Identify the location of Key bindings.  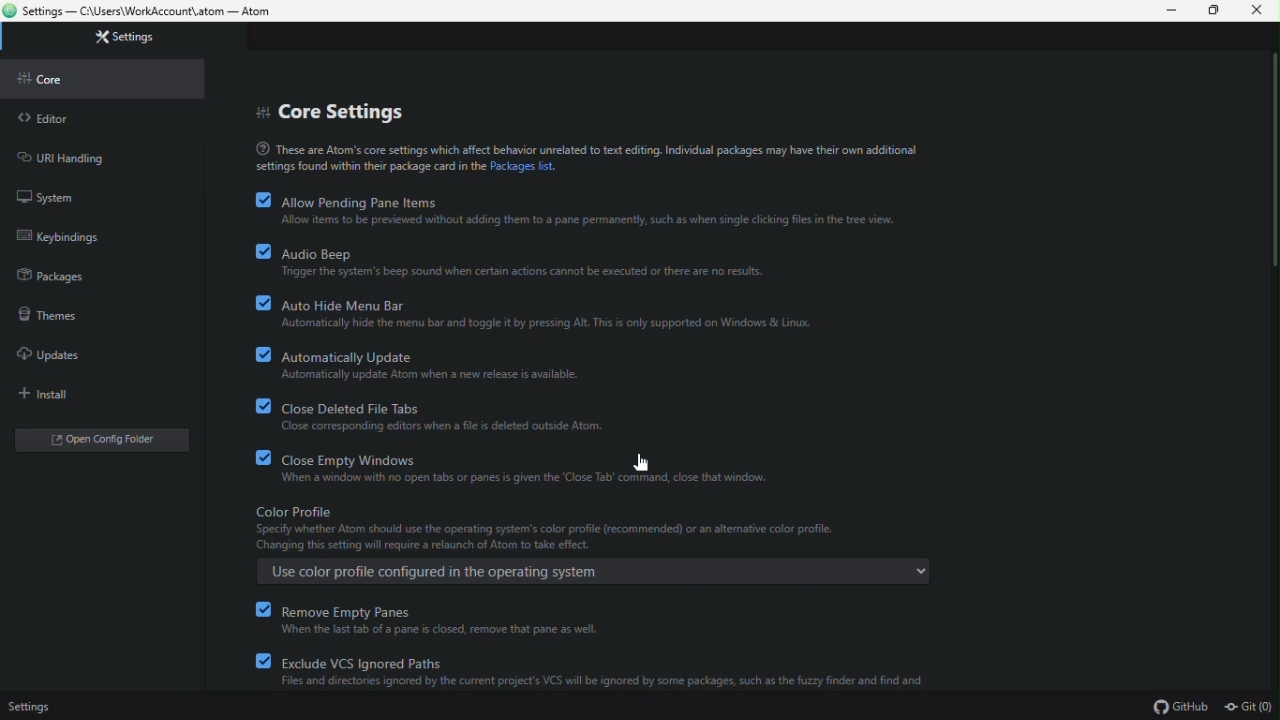
(95, 236).